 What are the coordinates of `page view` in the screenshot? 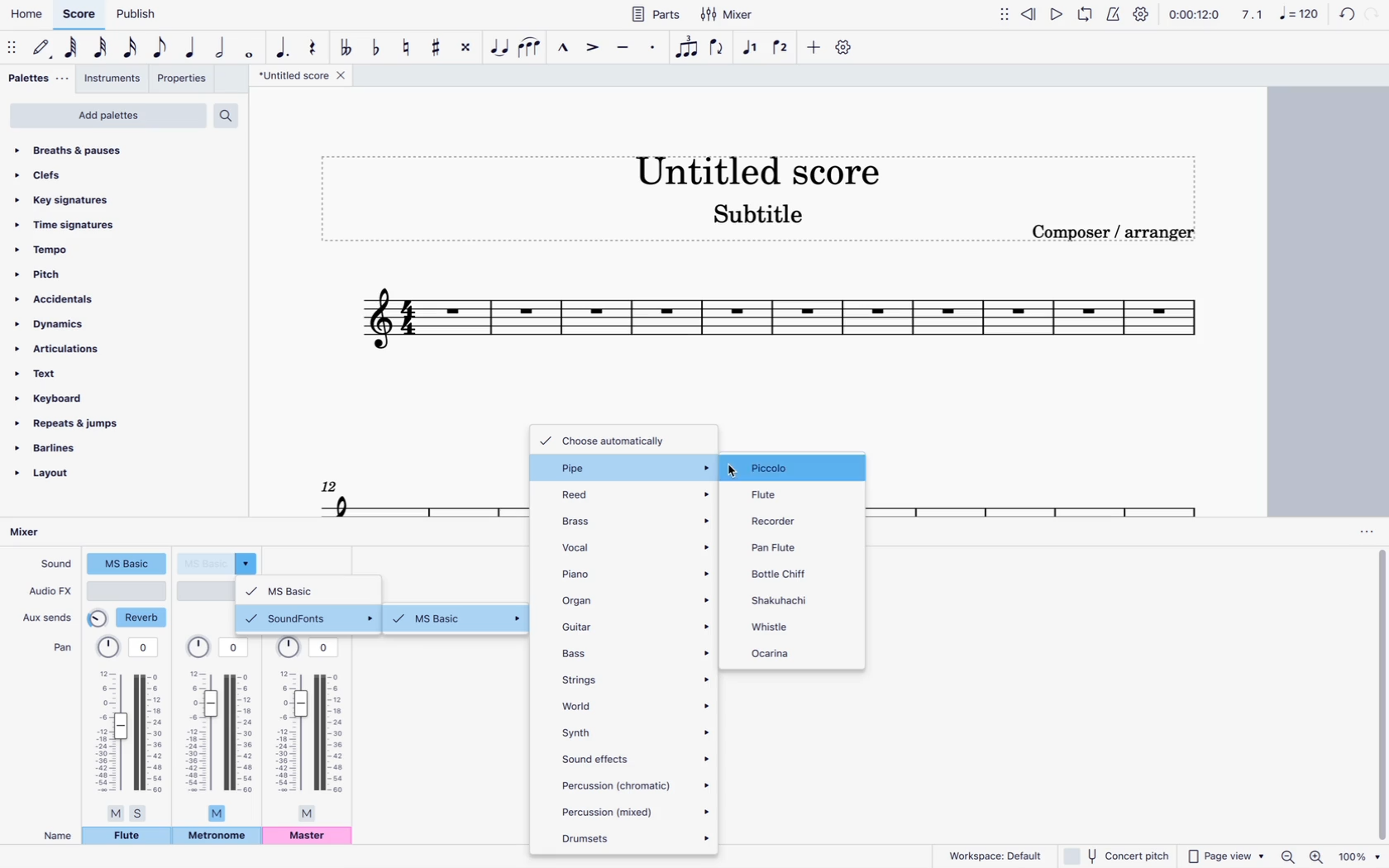 It's located at (1224, 856).